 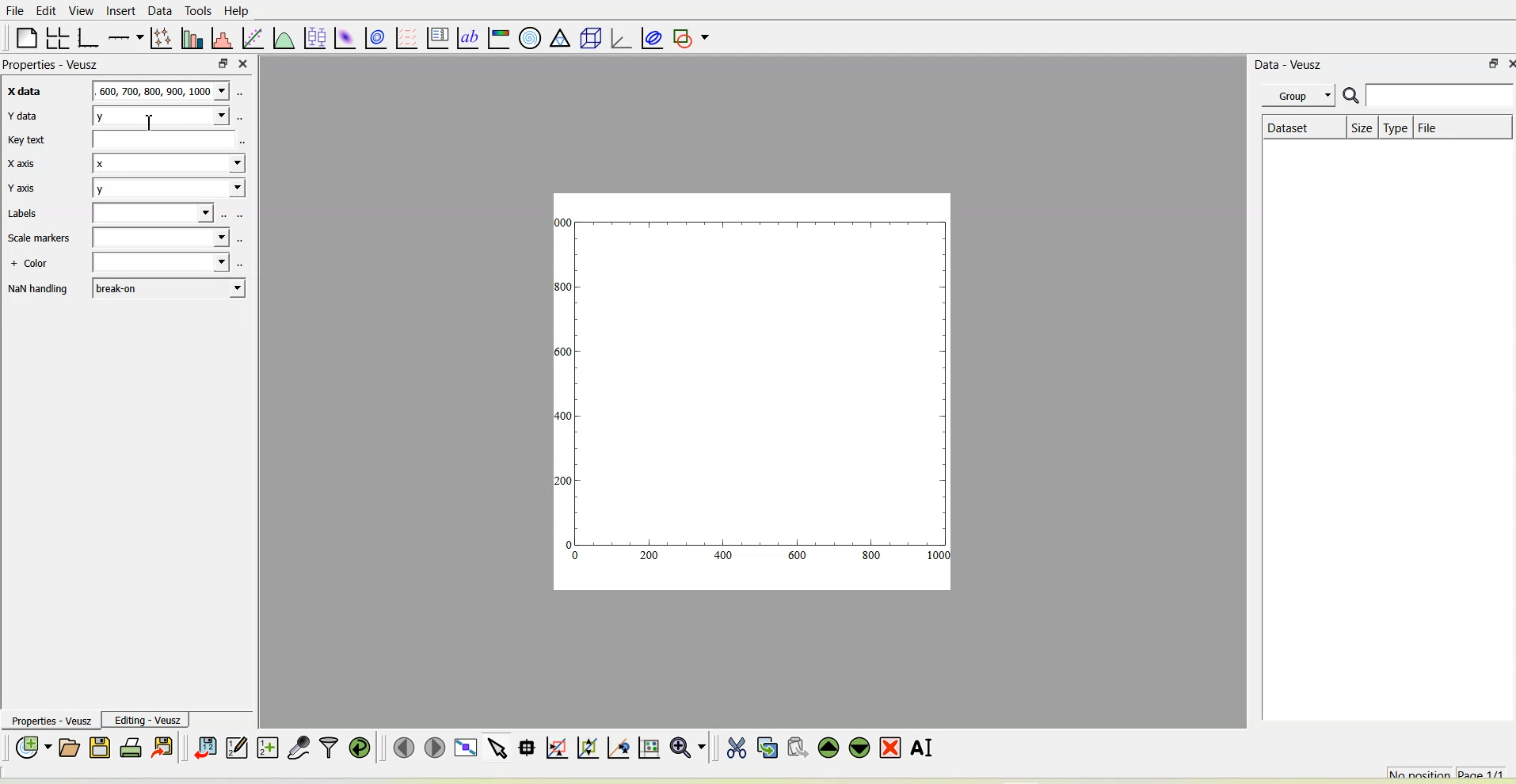 I want to click on File, so click(x=17, y=11).